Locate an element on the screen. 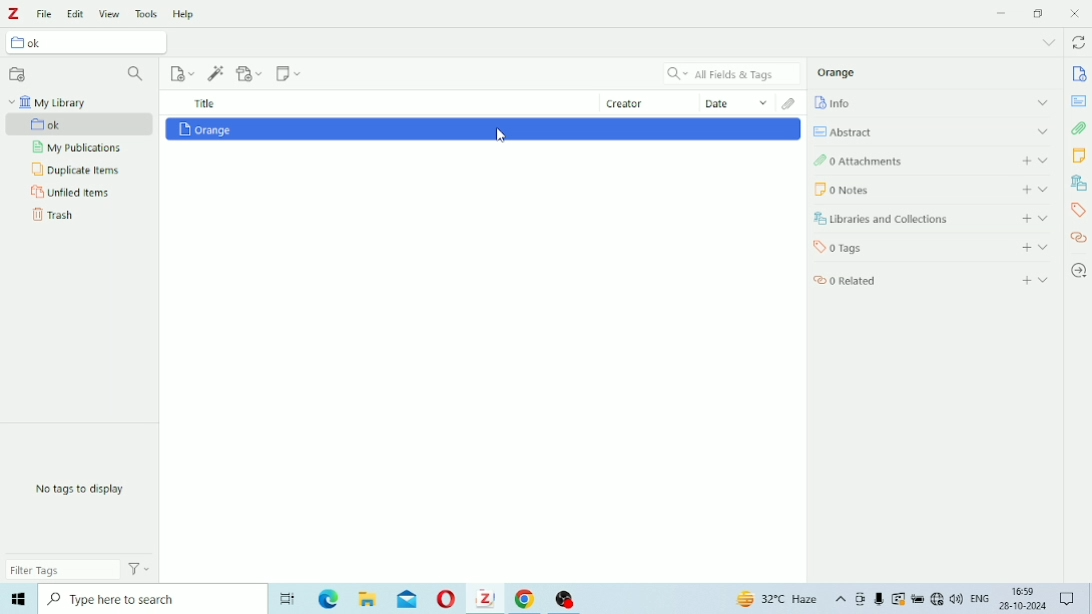 This screenshot has height=614, width=1092. Attachments is located at coordinates (791, 103).